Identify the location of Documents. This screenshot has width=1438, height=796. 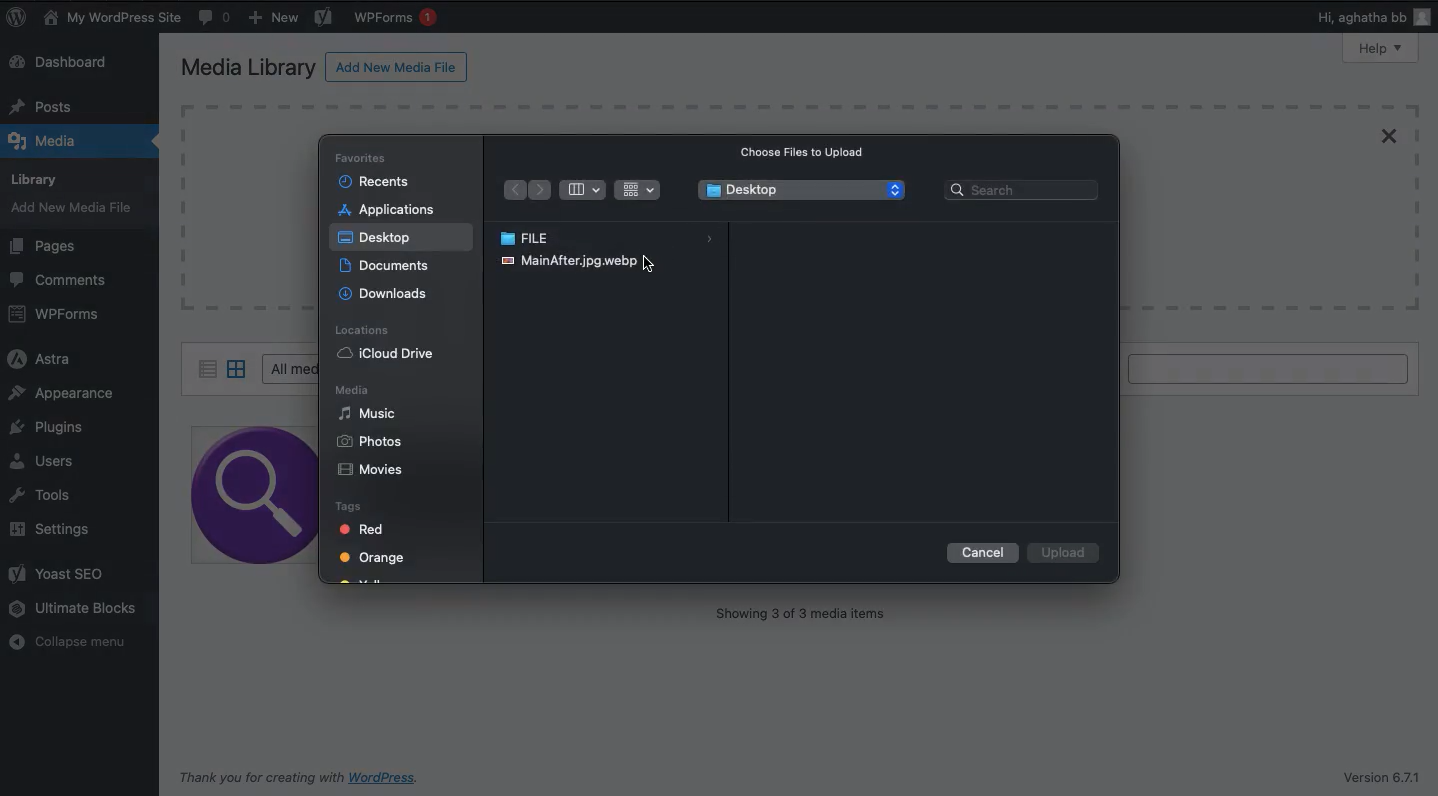
(382, 265).